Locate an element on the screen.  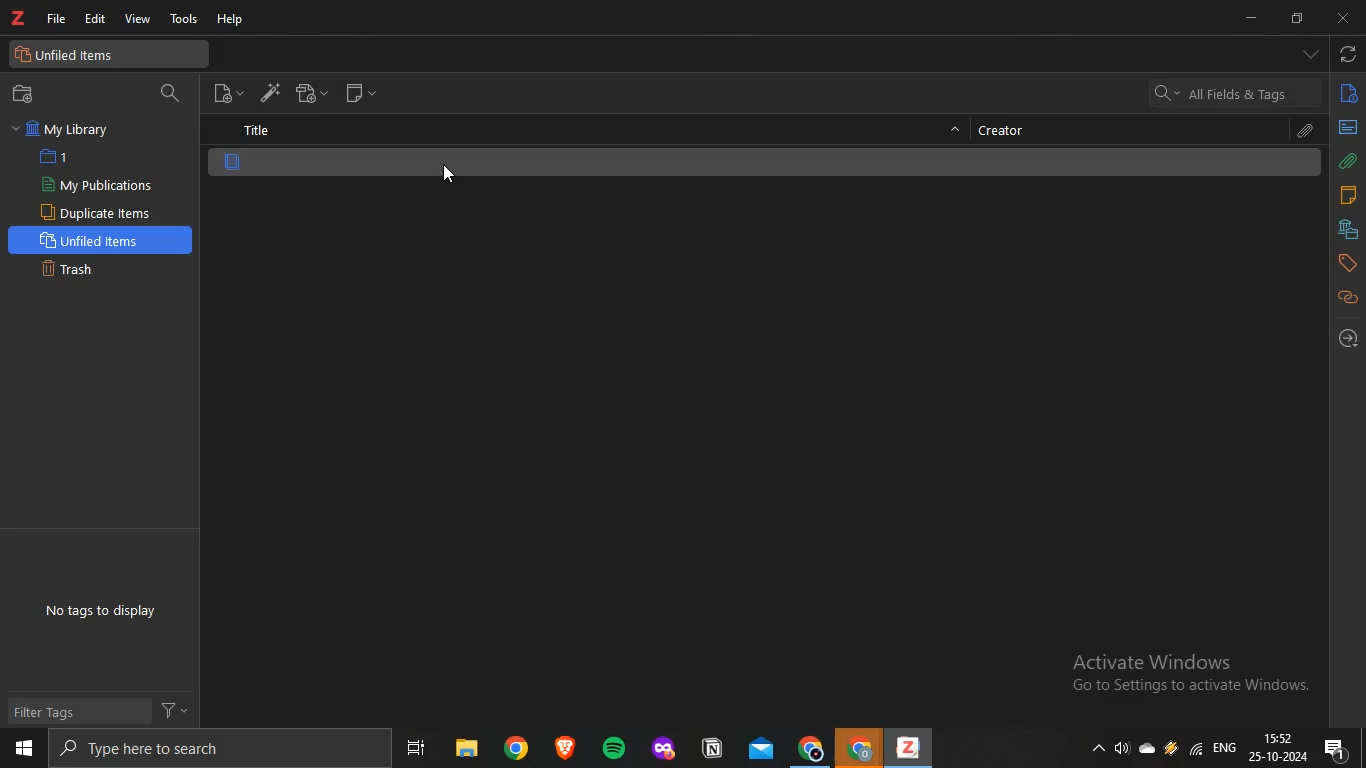
chrome is located at coordinates (516, 747).